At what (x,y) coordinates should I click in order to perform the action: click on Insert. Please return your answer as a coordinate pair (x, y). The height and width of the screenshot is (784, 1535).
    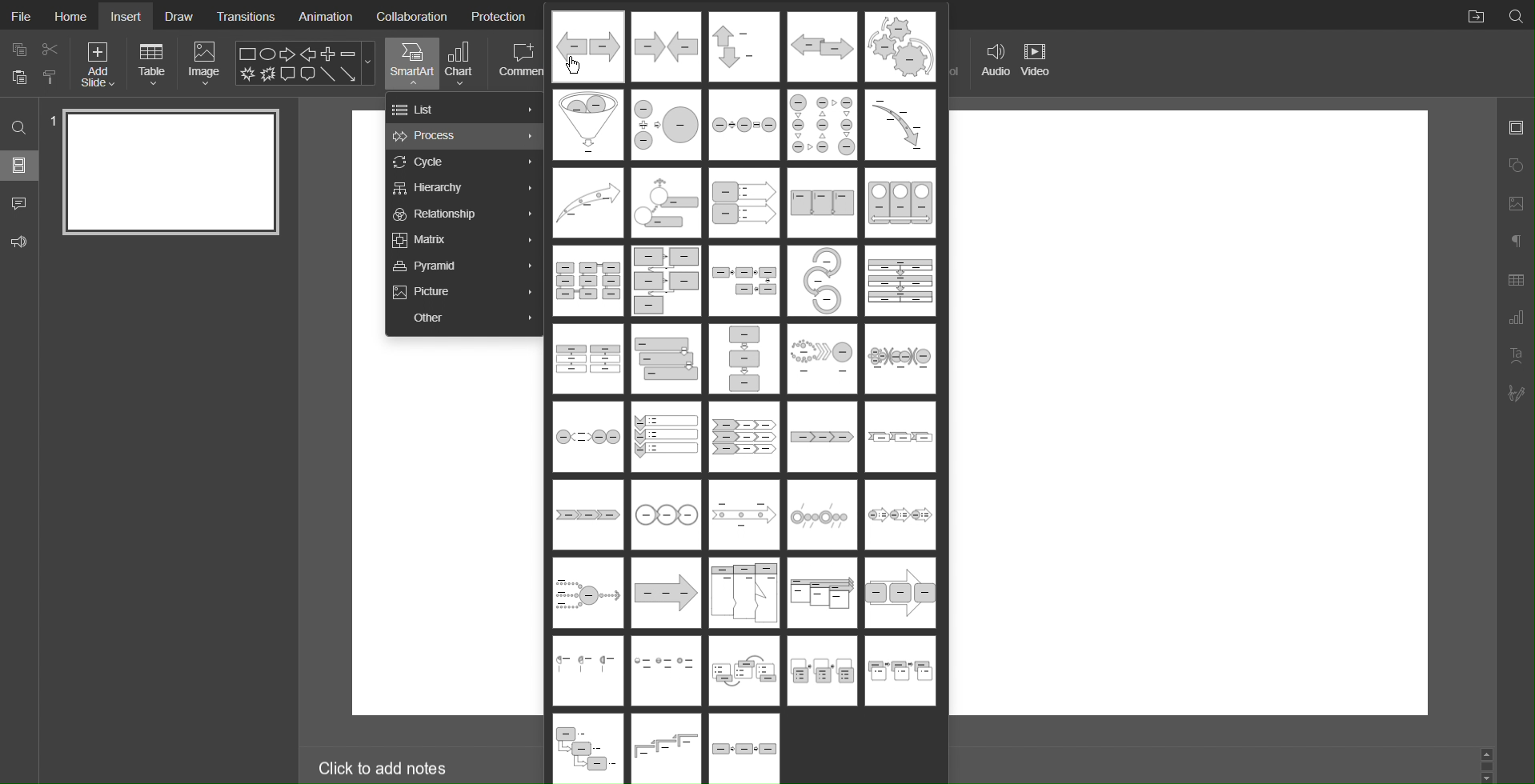
    Looking at the image, I should click on (128, 16).